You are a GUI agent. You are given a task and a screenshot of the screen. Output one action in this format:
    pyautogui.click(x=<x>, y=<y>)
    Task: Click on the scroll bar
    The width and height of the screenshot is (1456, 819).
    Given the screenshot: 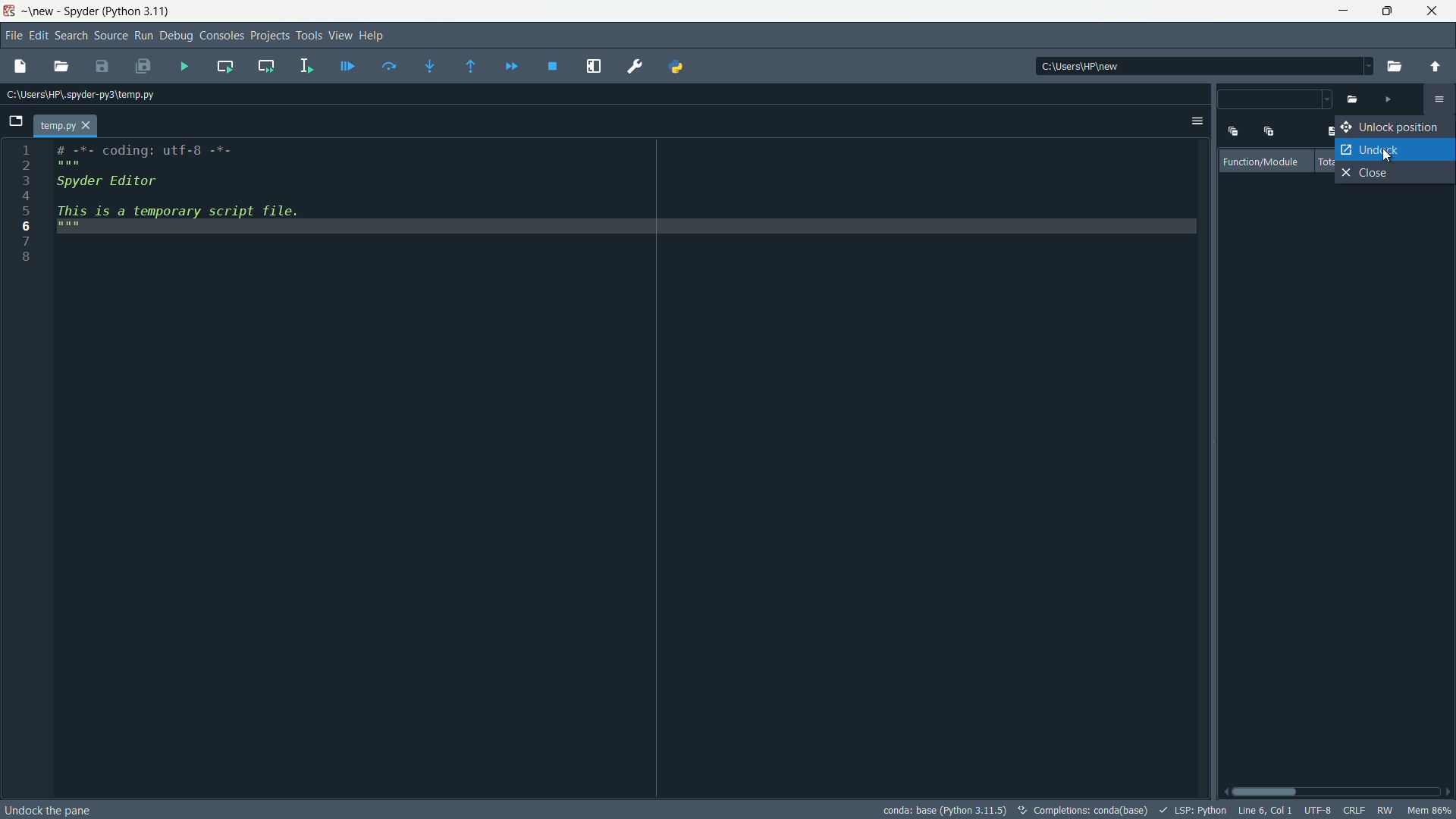 What is the action you would take?
    pyautogui.click(x=1337, y=792)
    